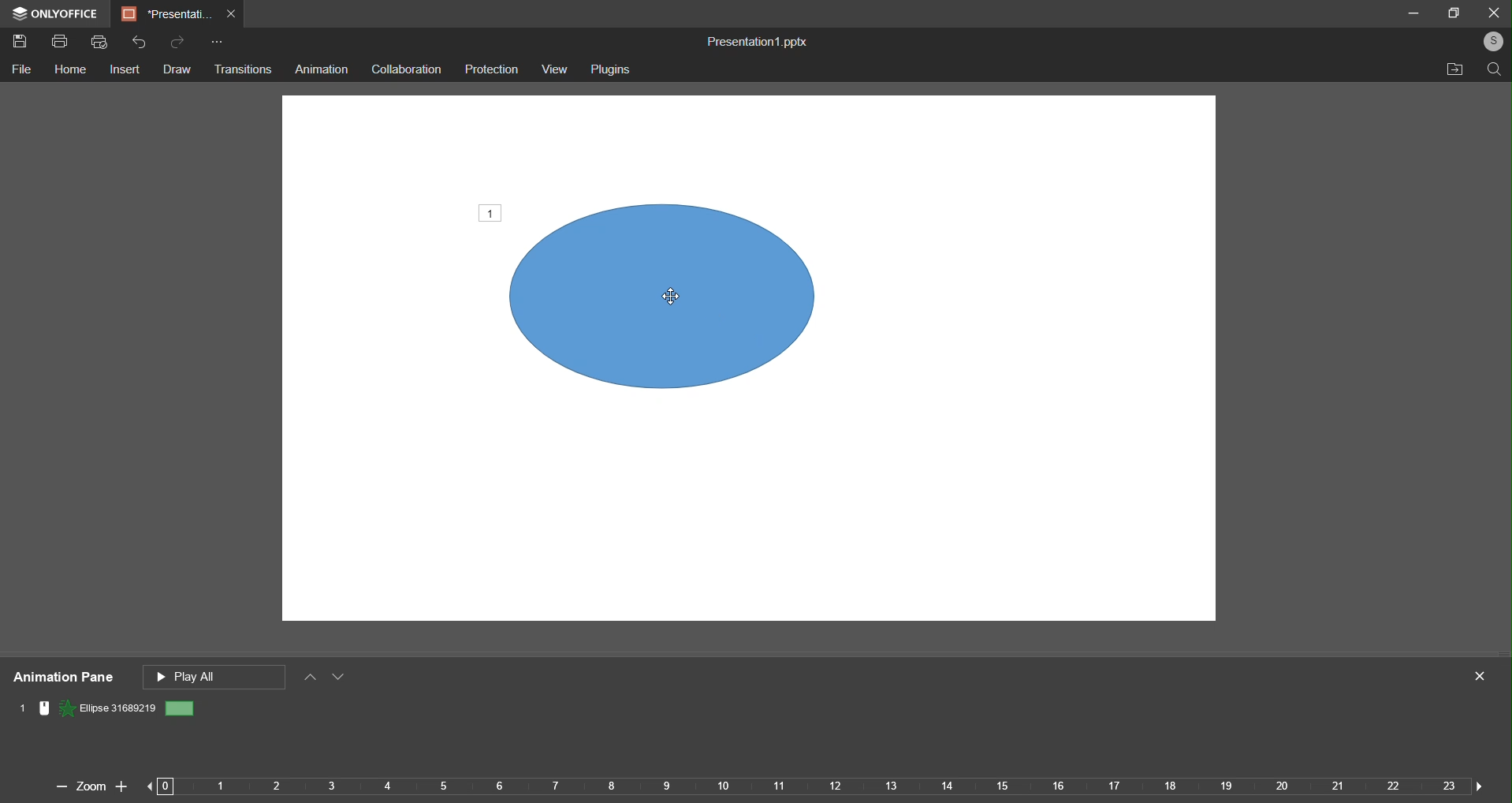 This screenshot has height=803, width=1512. I want to click on Redo, so click(178, 42).